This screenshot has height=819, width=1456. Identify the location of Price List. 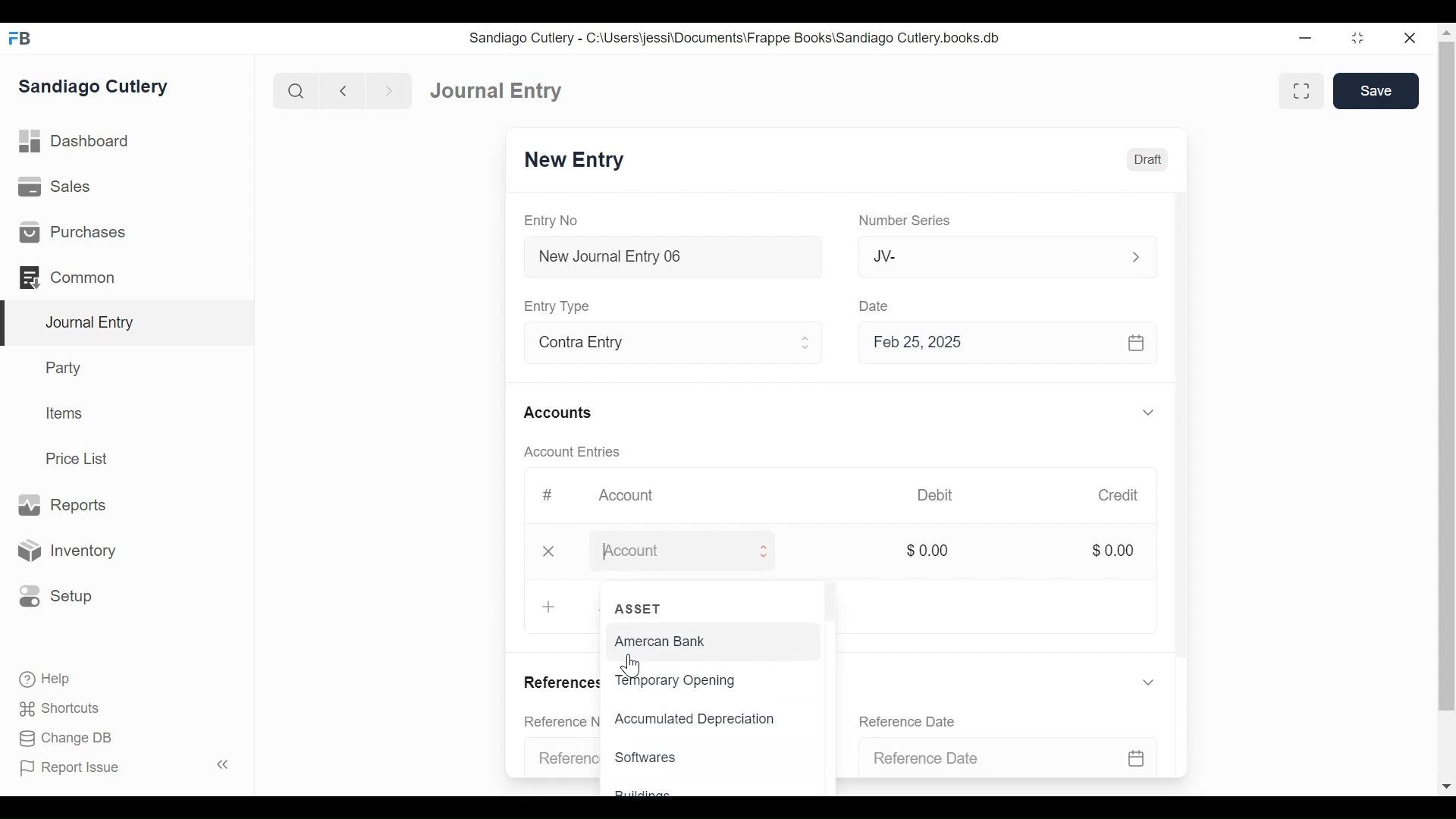
(82, 459).